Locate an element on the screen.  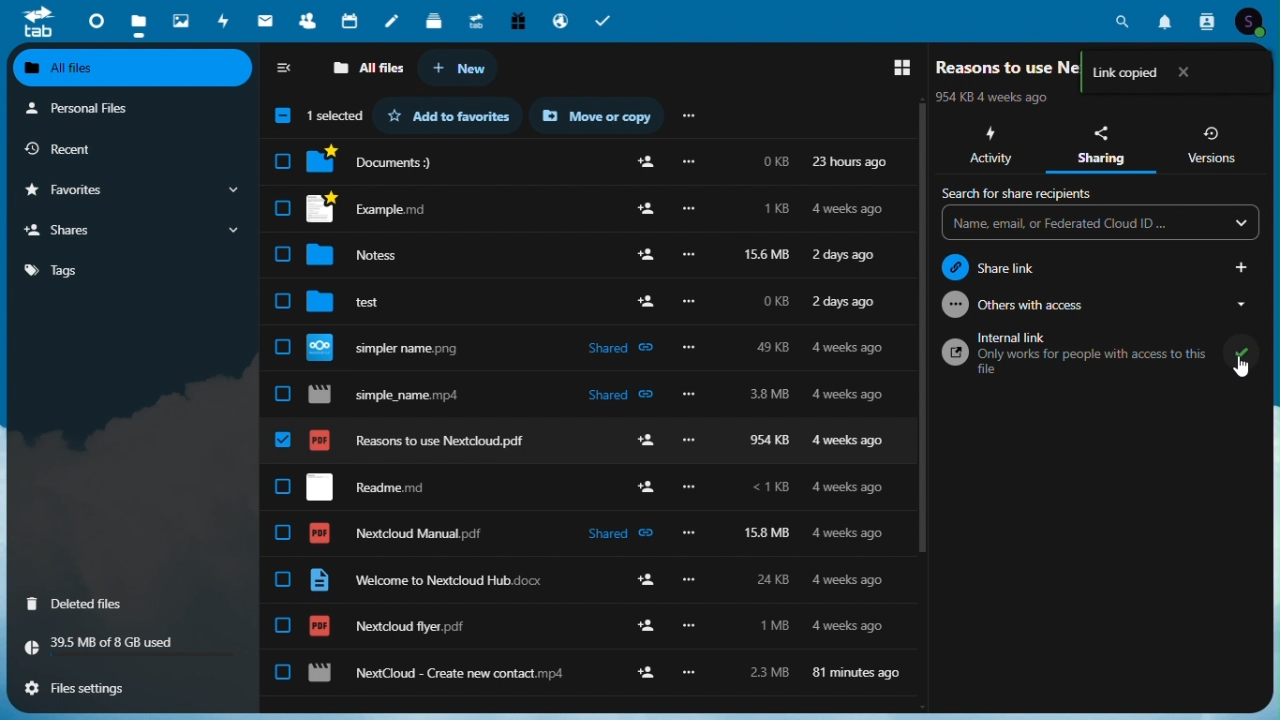
internal link is located at coordinates (1101, 353).